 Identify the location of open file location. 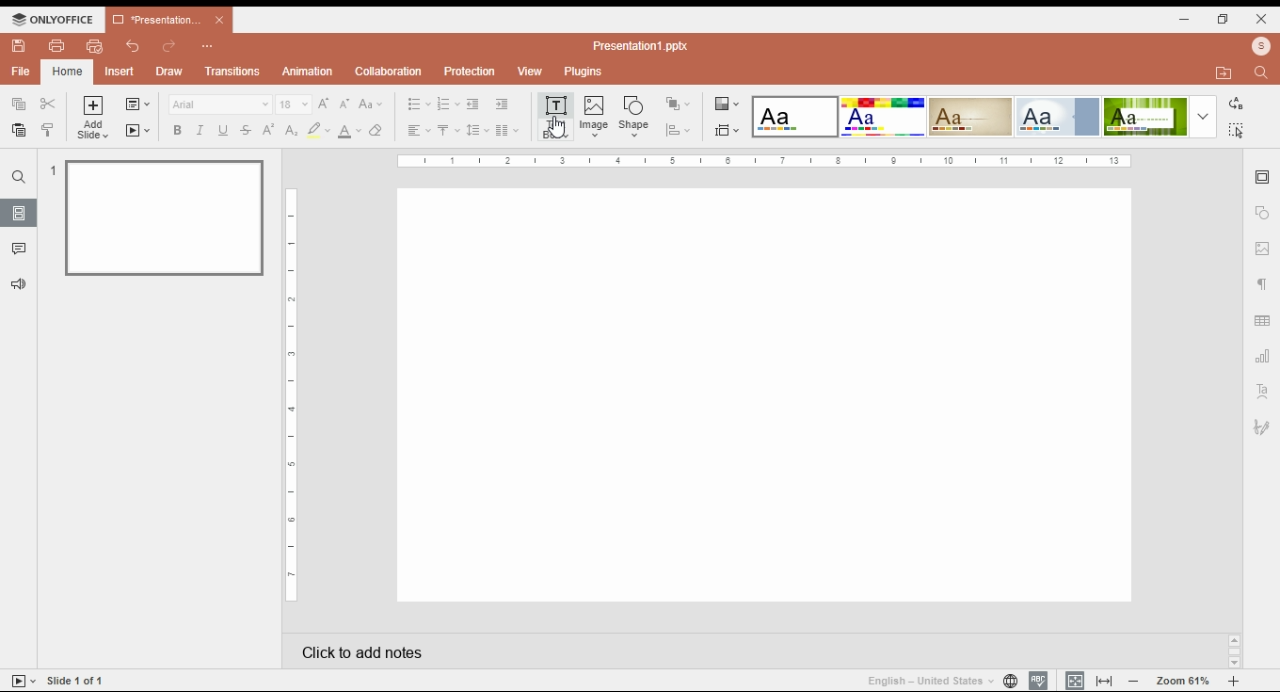
(1227, 72).